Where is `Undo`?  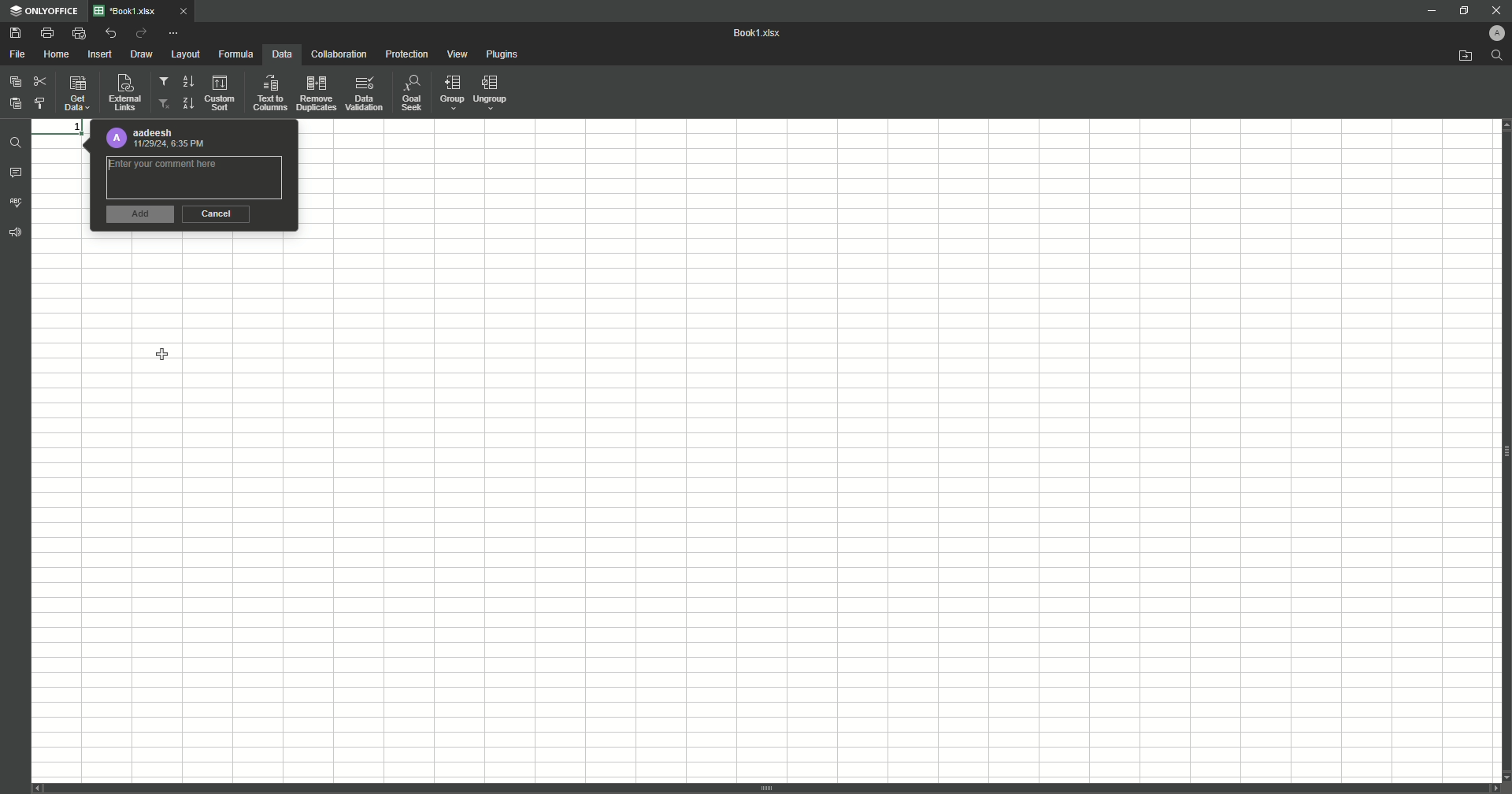
Undo is located at coordinates (109, 33).